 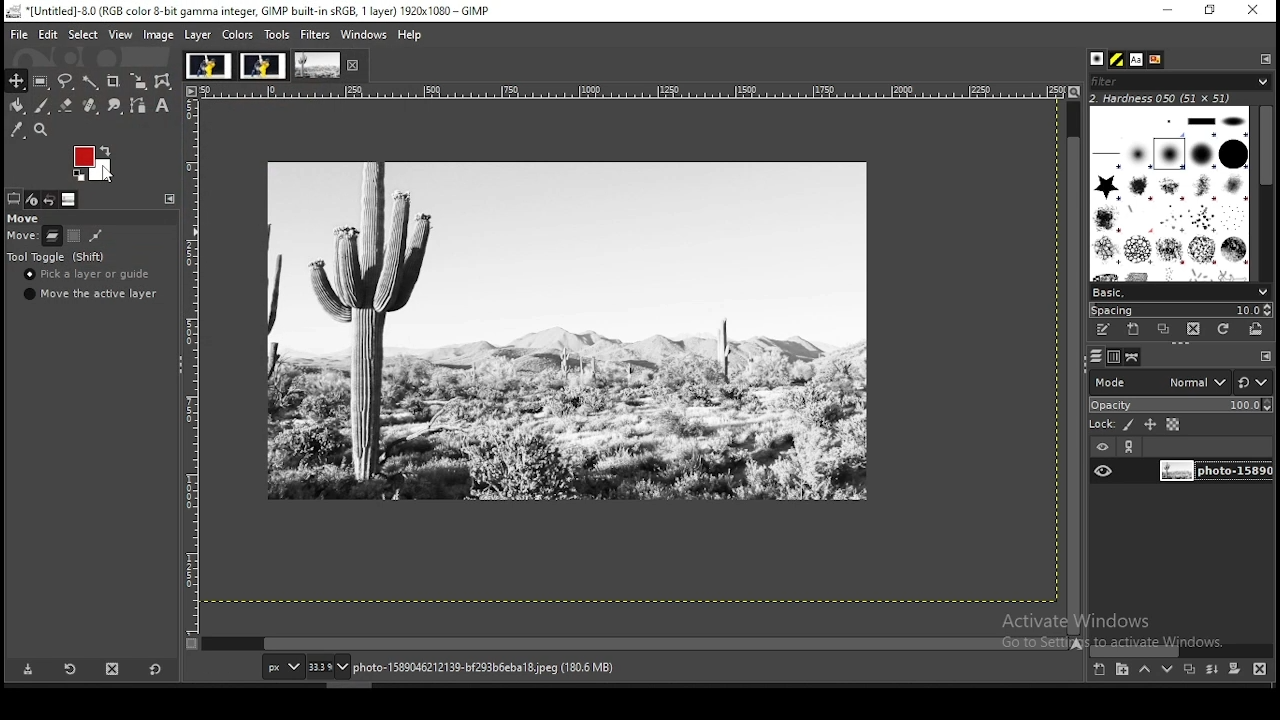 What do you see at coordinates (138, 105) in the screenshot?
I see `paths tool` at bounding box center [138, 105].